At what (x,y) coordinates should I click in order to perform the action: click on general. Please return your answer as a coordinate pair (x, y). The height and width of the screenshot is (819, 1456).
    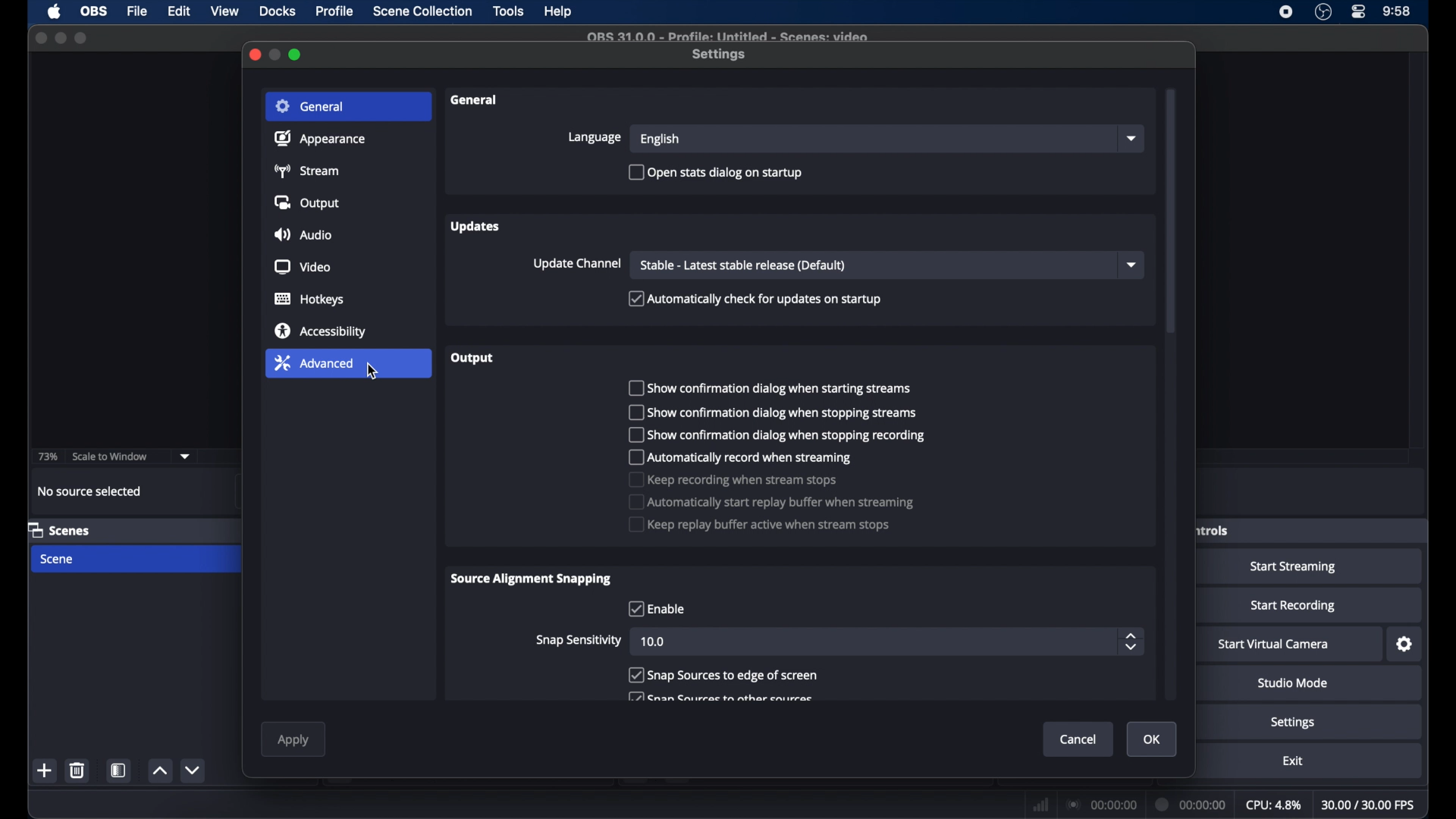
    Looking at the image, I should click on (309, 105).